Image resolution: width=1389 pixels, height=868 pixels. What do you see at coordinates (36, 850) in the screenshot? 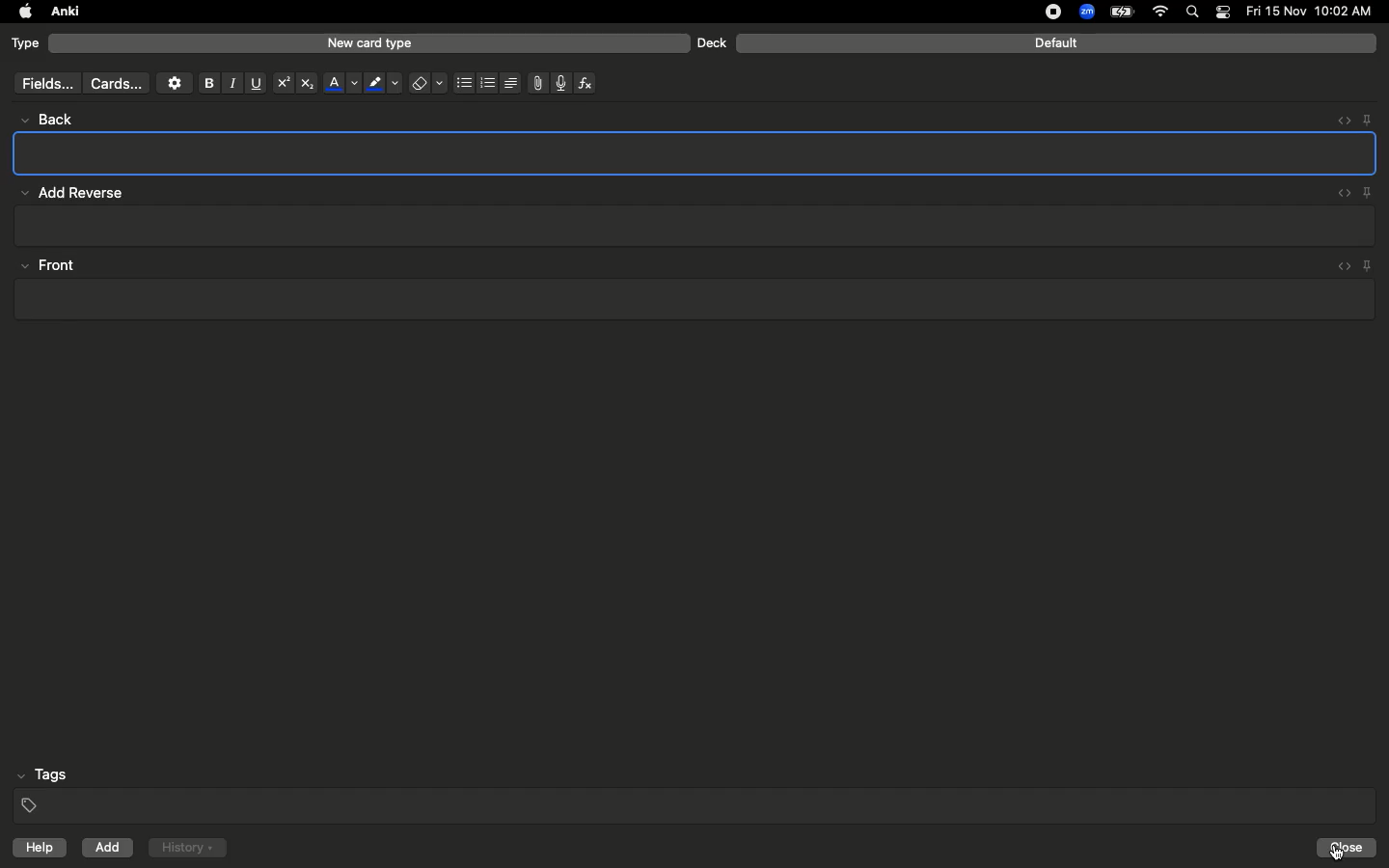
I see `help` at bounding box center [36, 850].